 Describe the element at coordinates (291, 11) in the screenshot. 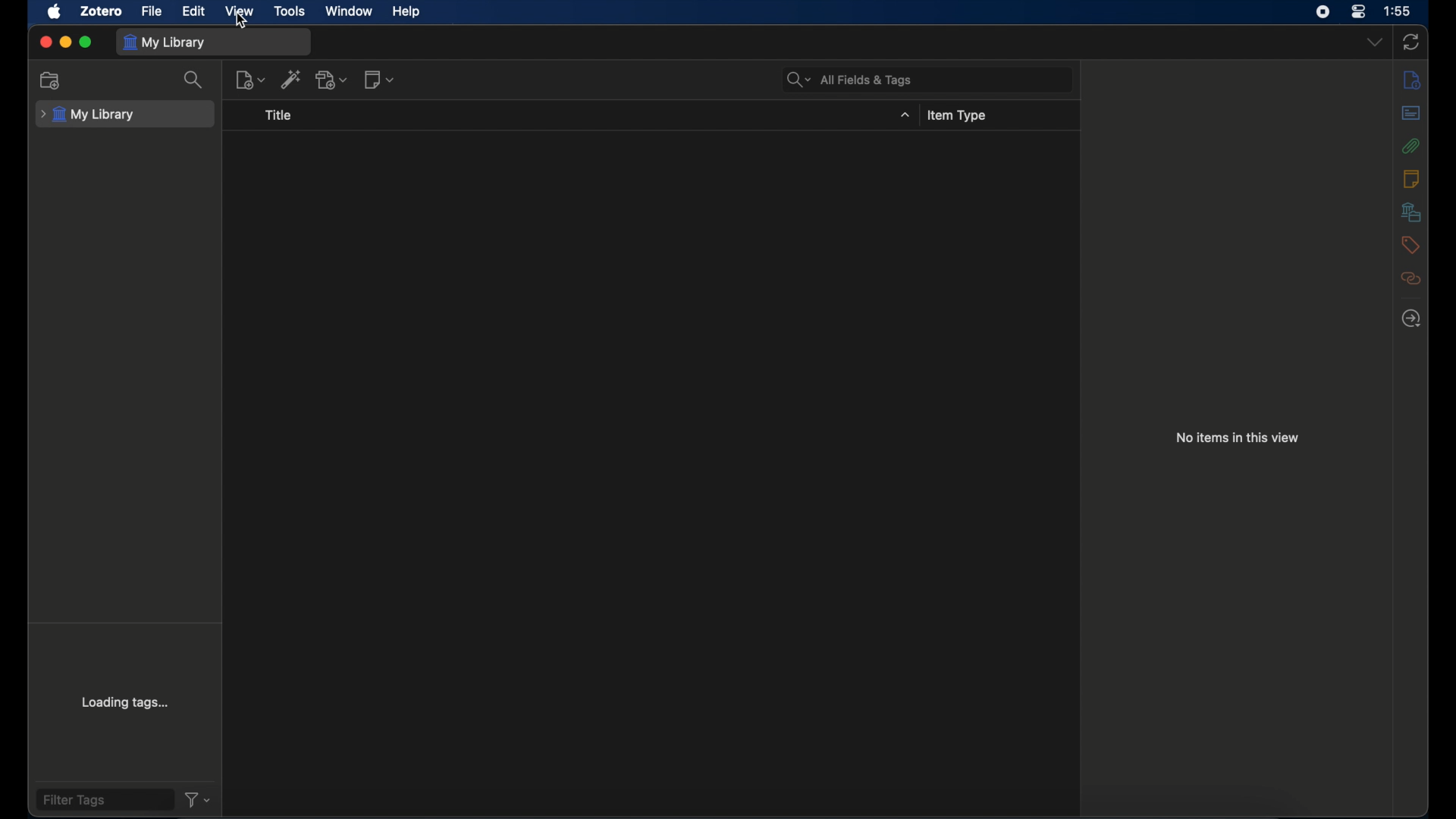

I see `tools` at that location.